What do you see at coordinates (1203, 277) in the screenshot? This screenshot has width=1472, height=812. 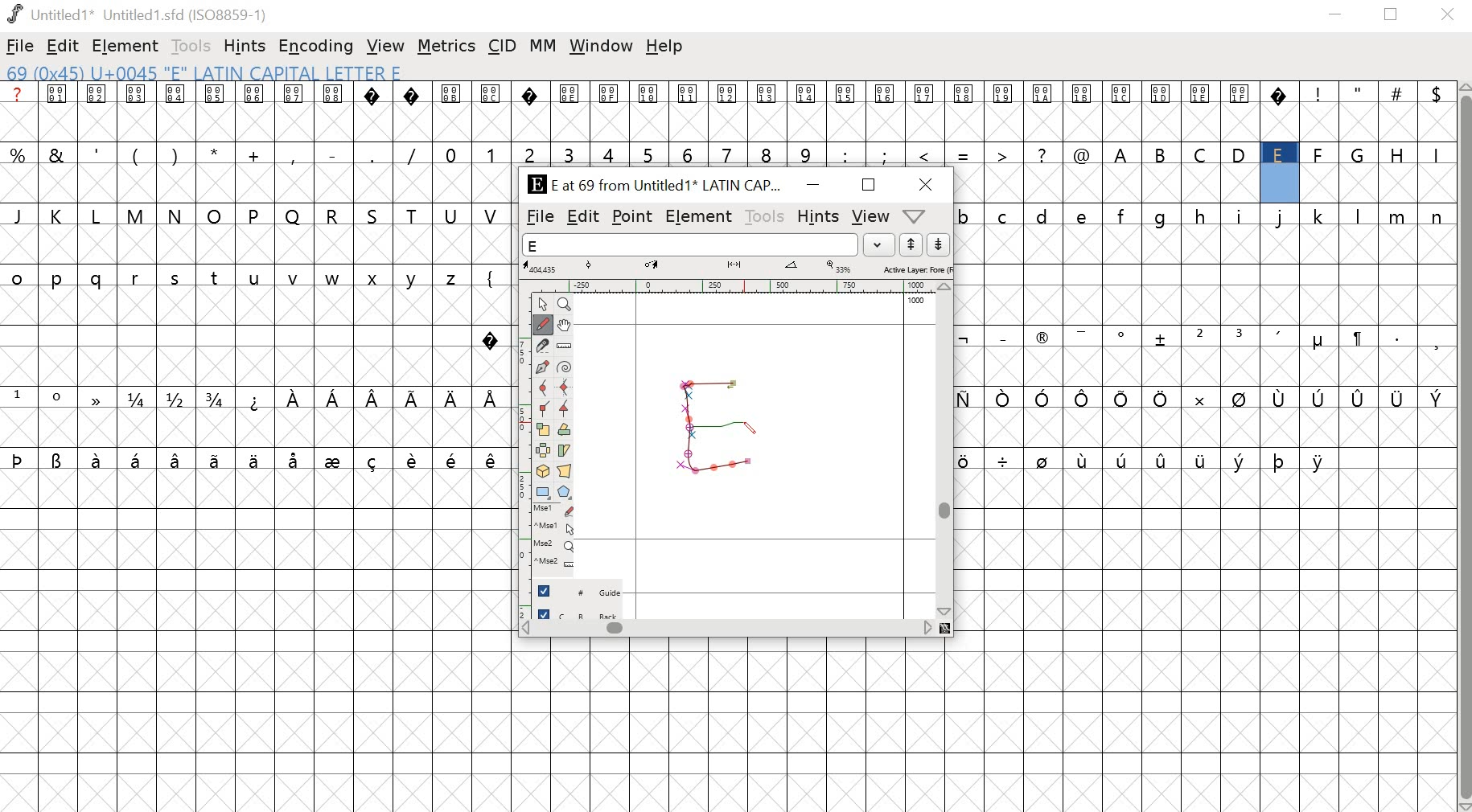 I see `empty cells` at bounding box center [1203, 277].